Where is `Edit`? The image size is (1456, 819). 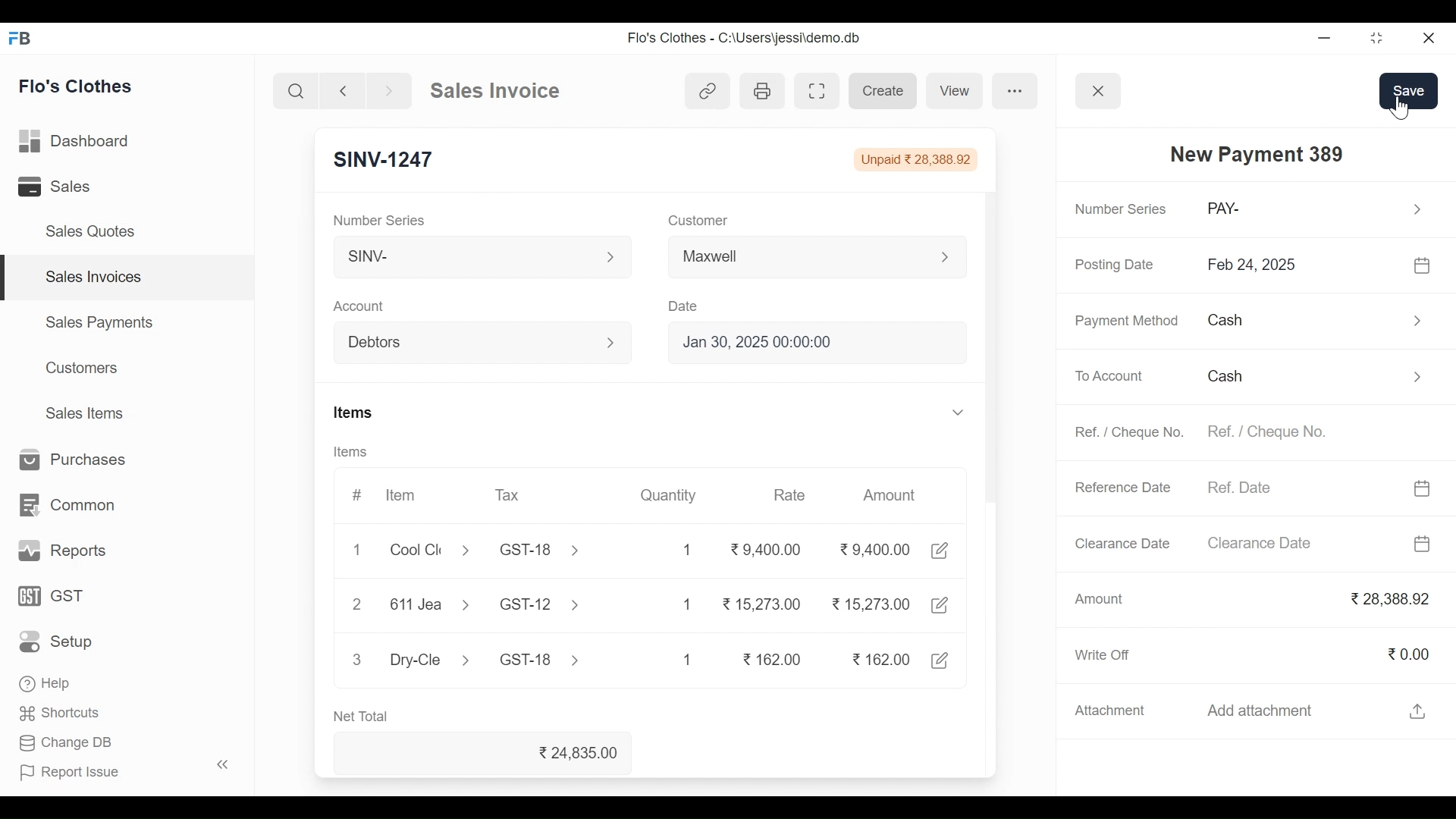
Edit is located at coordinates (943, 659).